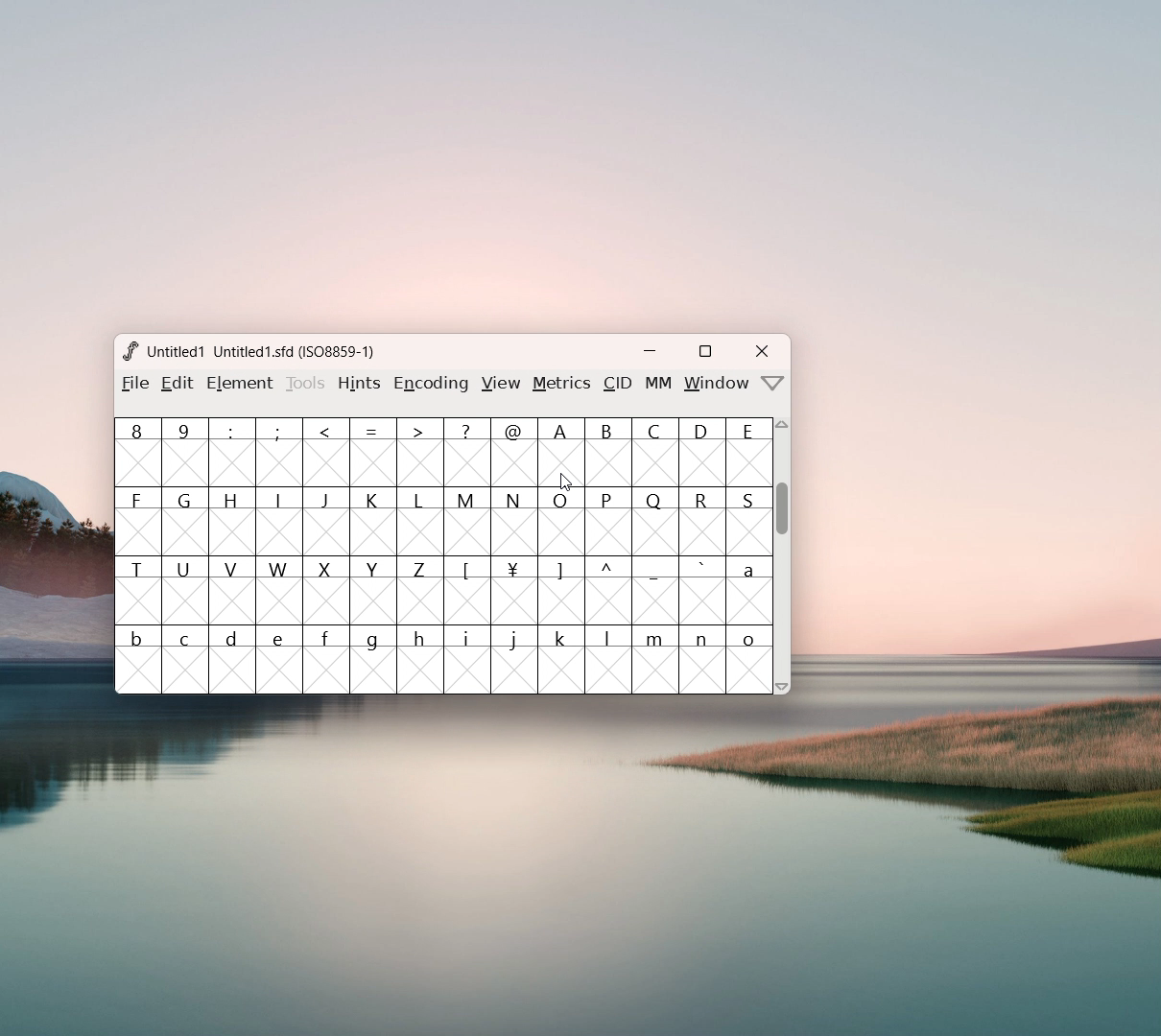  What do you see at coordinates (773, 385) in the screenshot?
I see `more options` at bounding box center [773, 385].